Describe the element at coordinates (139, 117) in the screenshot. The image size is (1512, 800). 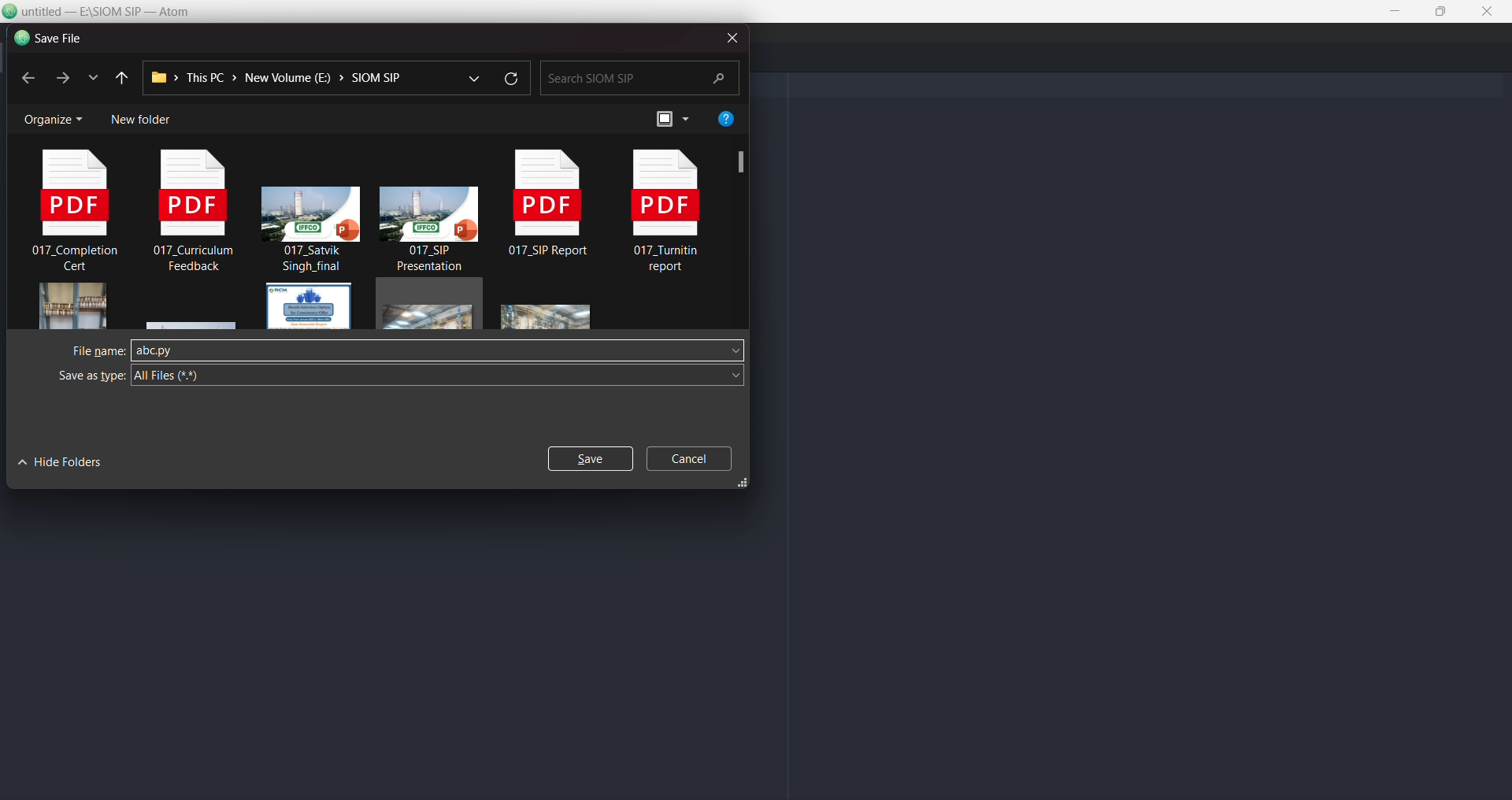
I see `new folder` at that location.